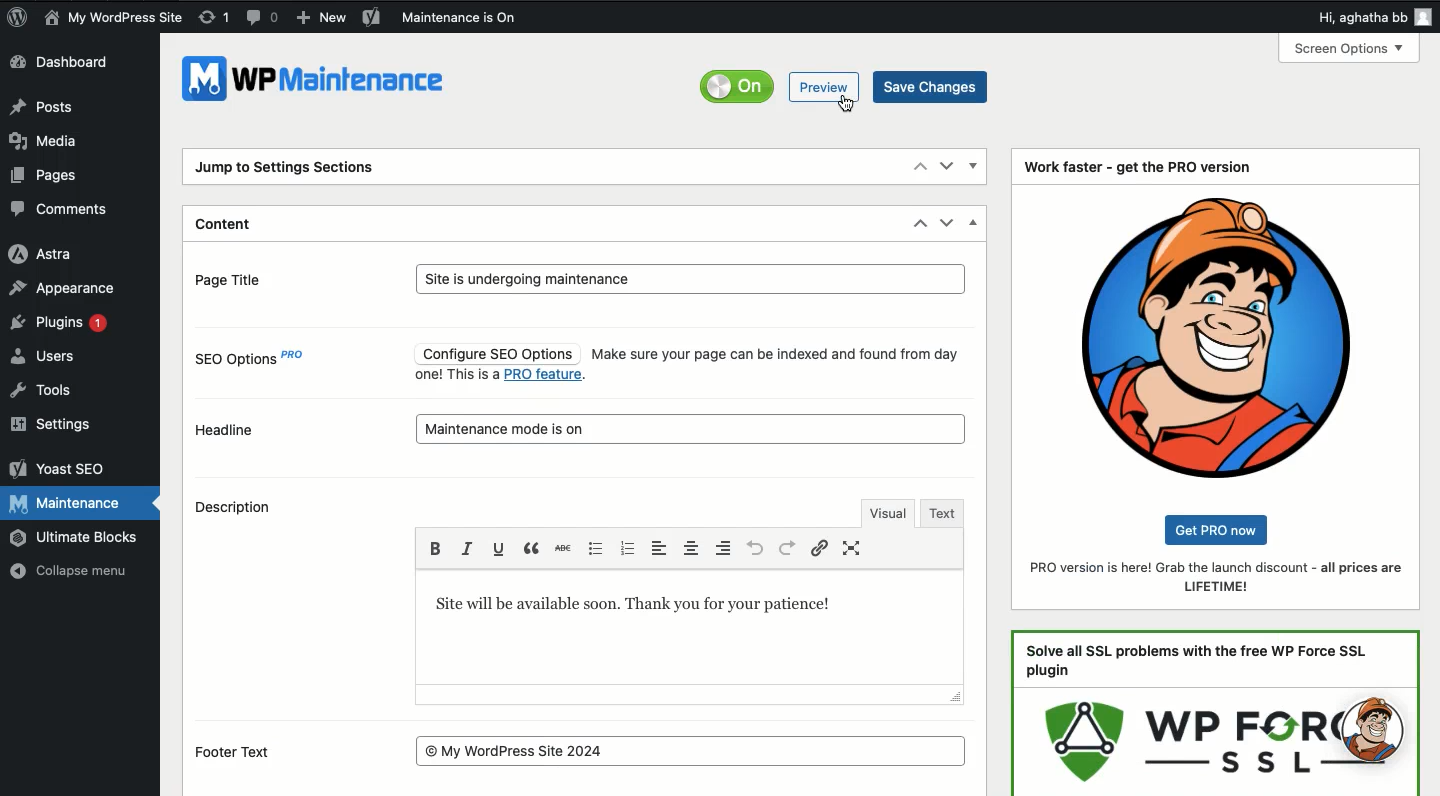 The width and height of the screenshot is (1440, 796). I want to click on Move up down, so click(934, 165).